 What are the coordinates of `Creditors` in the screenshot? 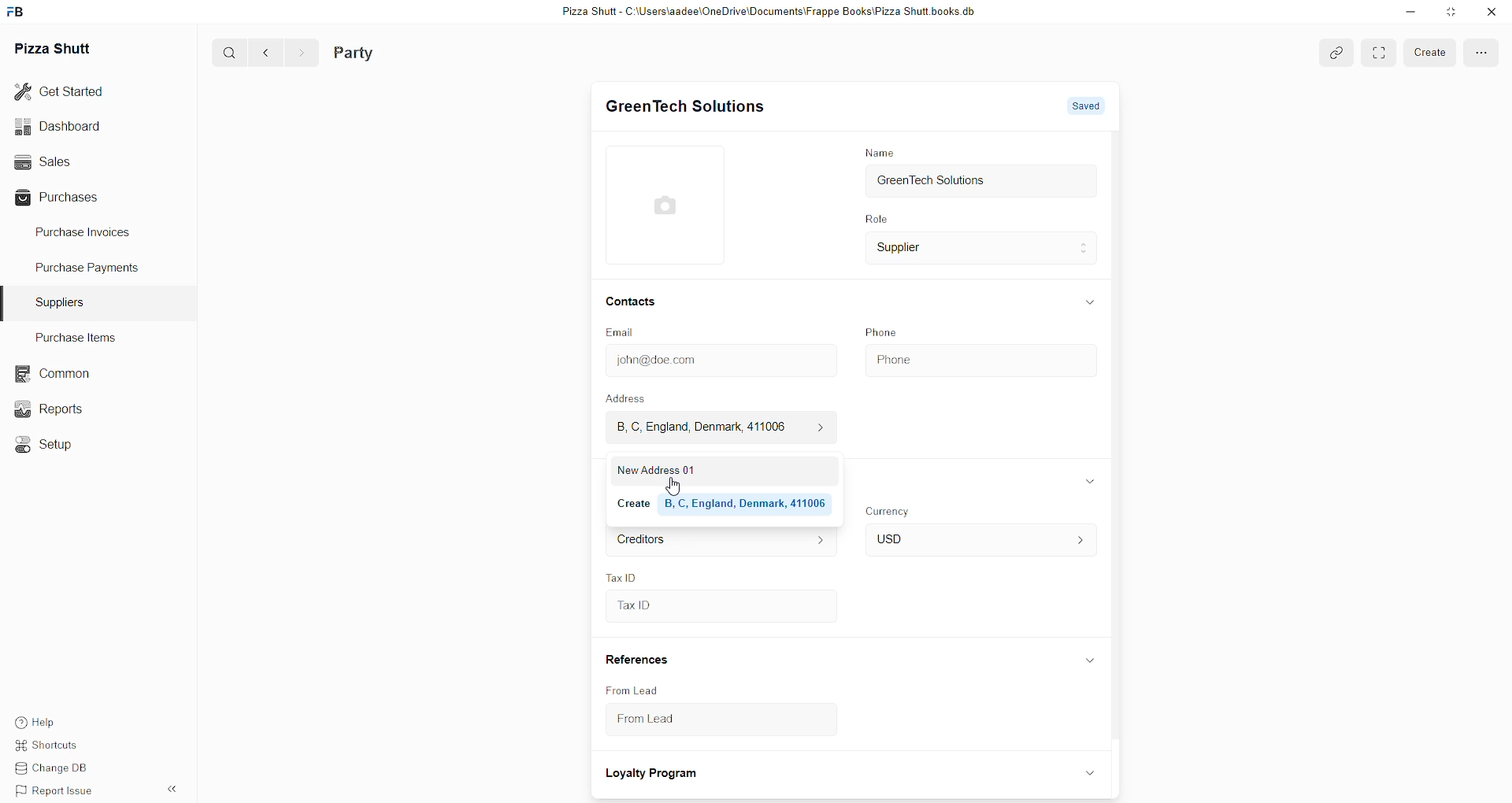 It's located at (718, 540).